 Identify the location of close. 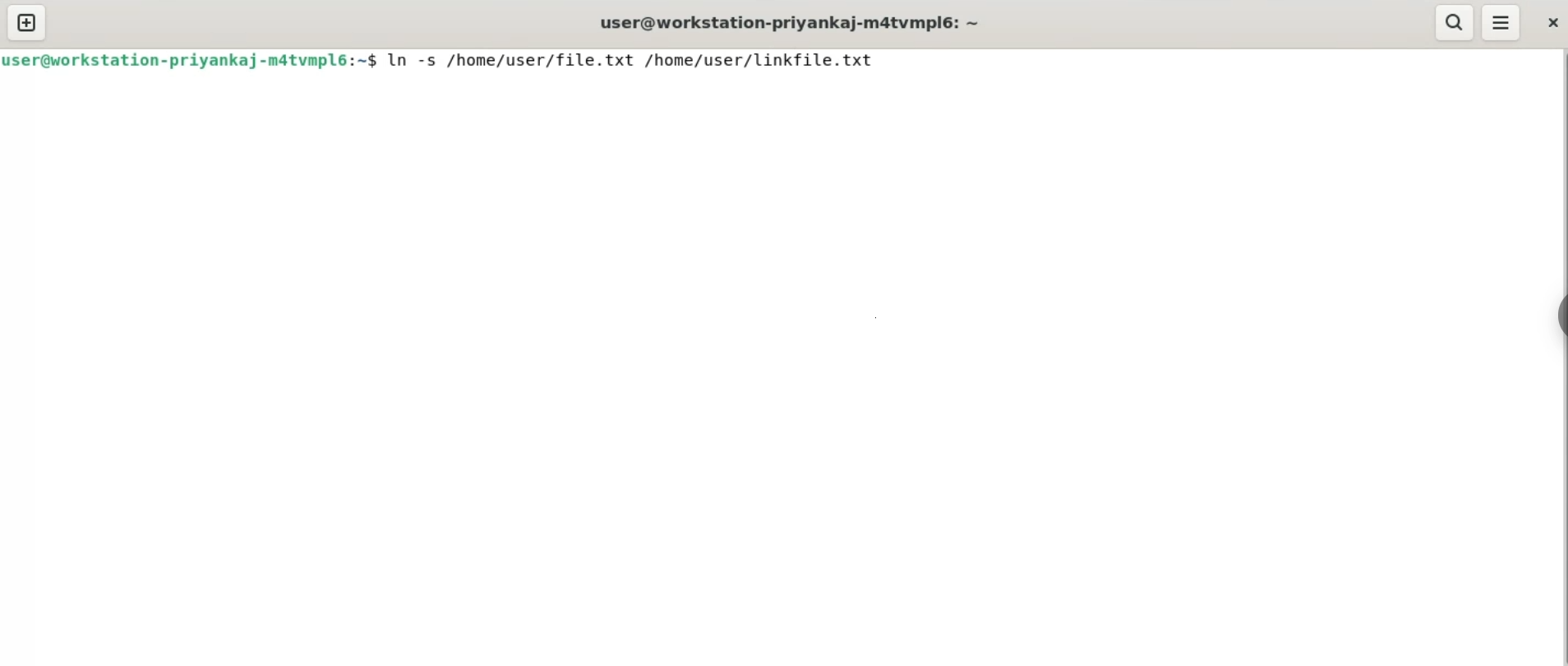
(1546, 21).